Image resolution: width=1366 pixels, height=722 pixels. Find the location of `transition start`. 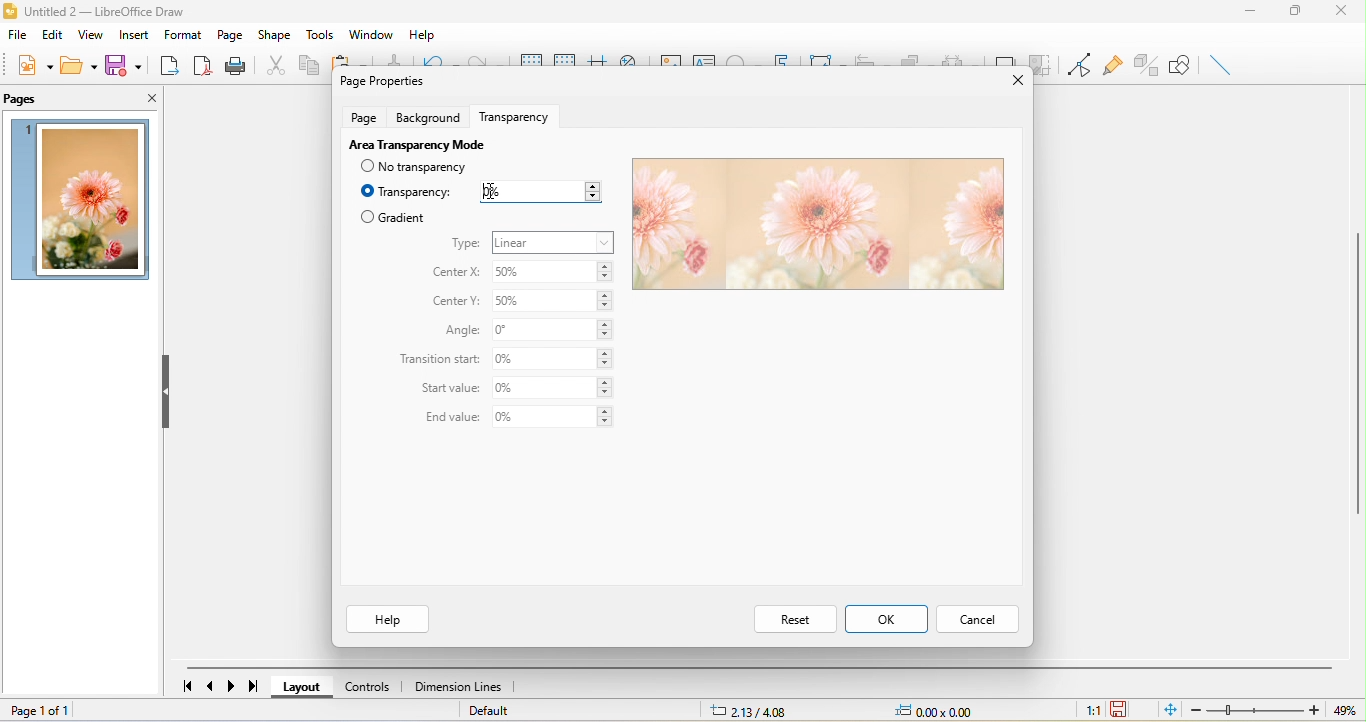

transition start is located at coordinates (440, 360).